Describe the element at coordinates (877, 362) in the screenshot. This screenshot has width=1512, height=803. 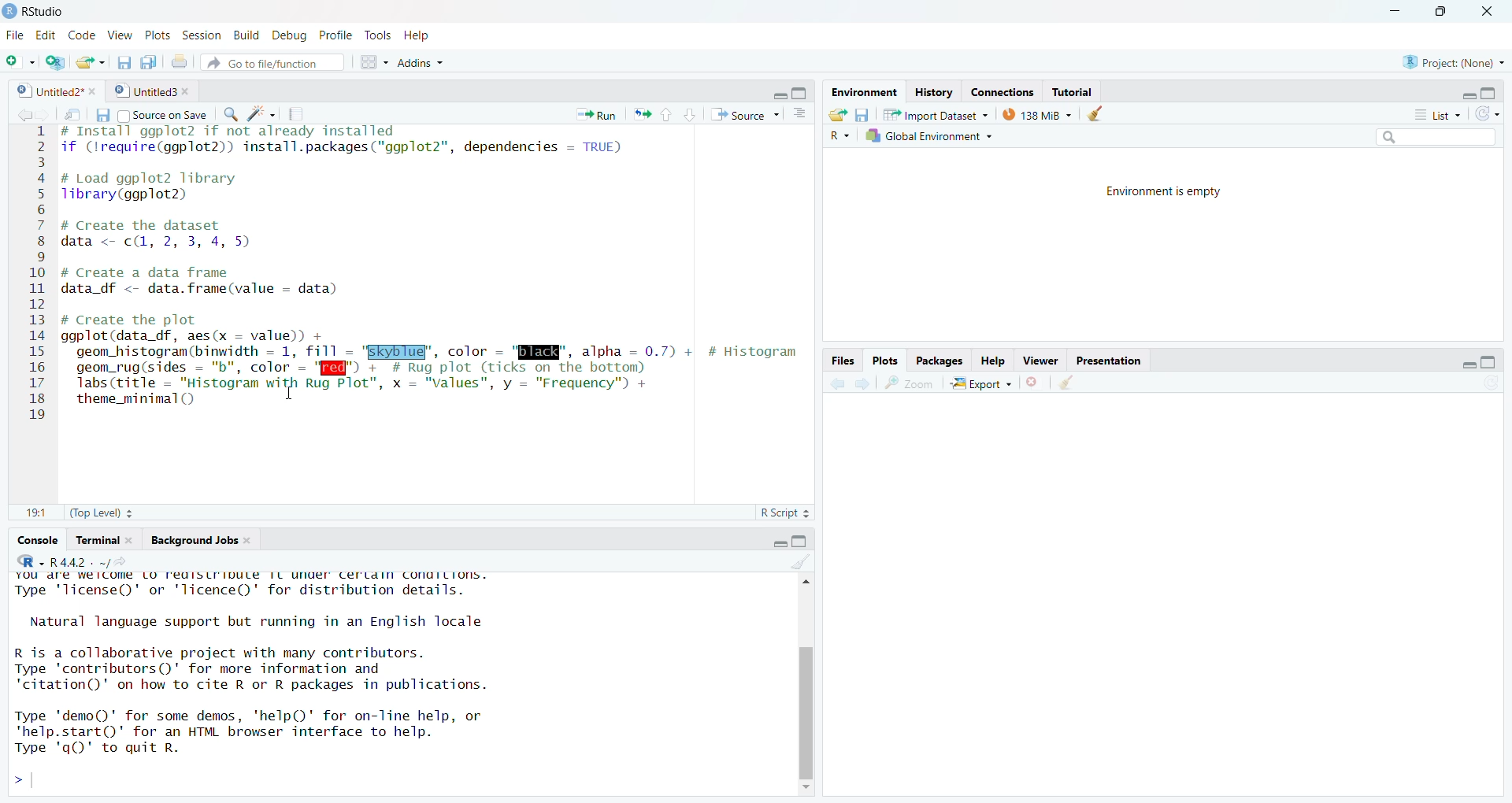
I see `Plots` at that location.